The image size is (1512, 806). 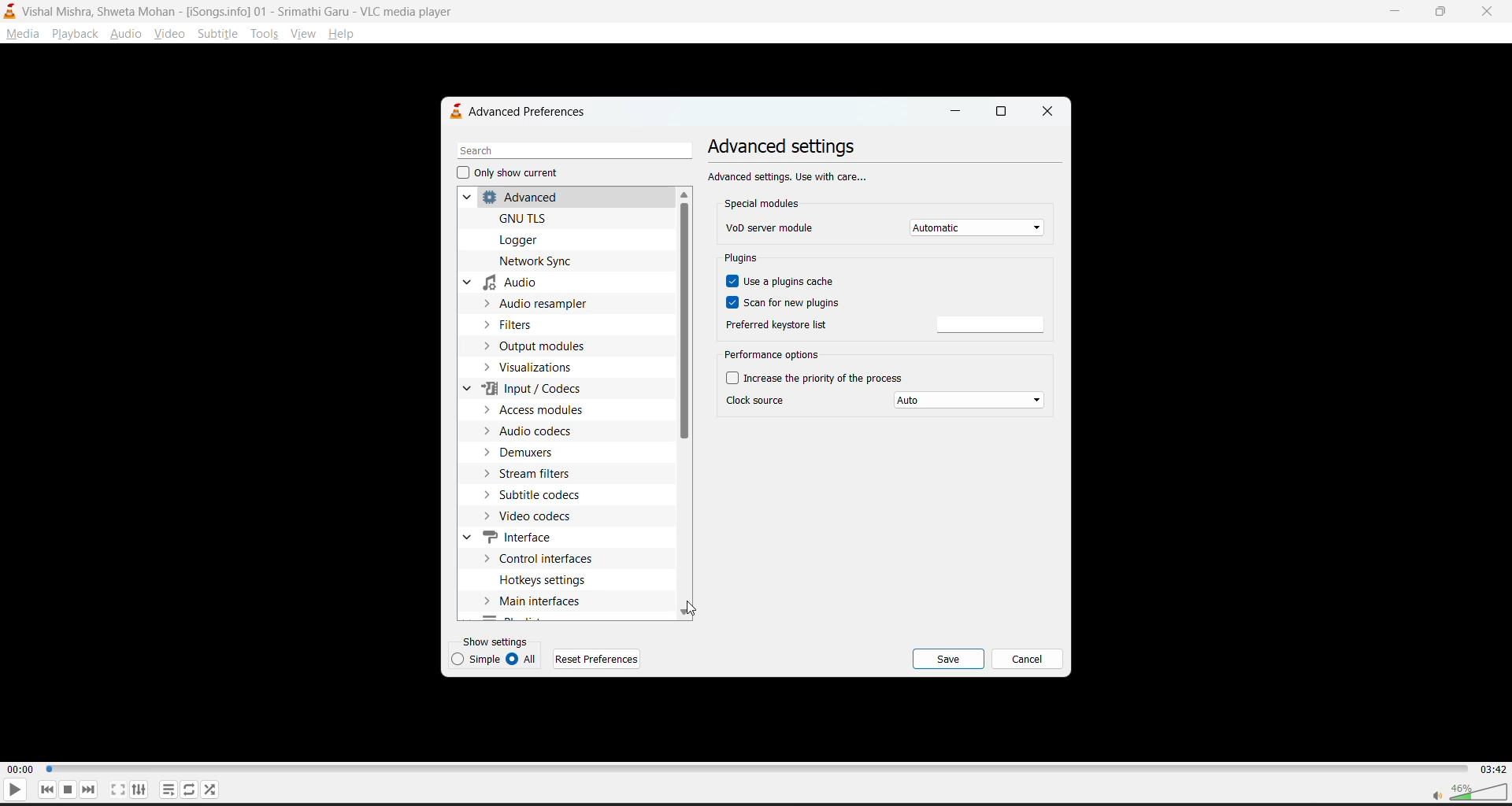 What do you see at coordinates (1492, 768) in the screenshot?
I see `03:42` at bounding box center [1492, 768].